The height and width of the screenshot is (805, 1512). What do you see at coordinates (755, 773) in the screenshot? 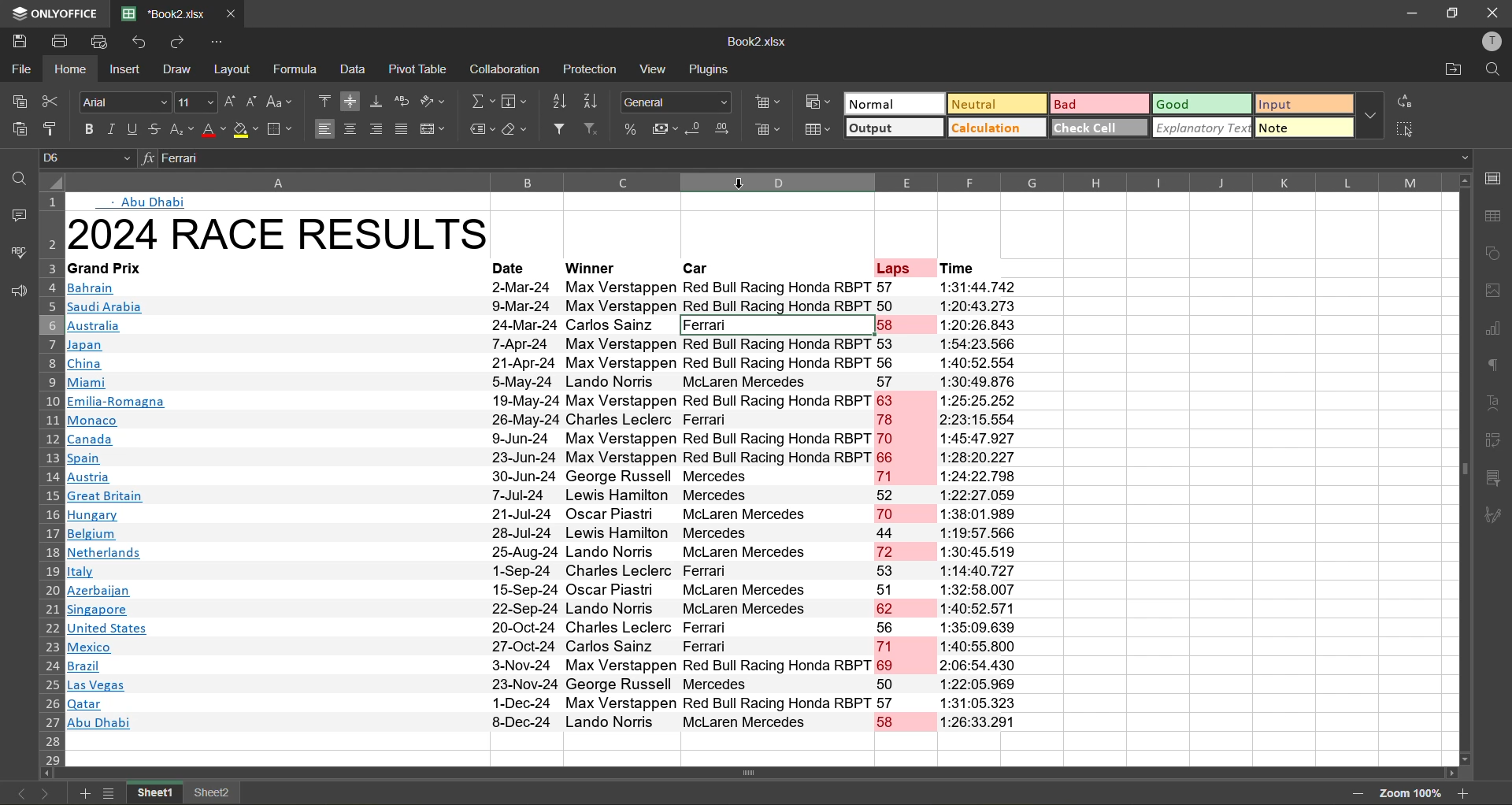
I see `Horizontal scrollbar` at bounding box center [755, 773].